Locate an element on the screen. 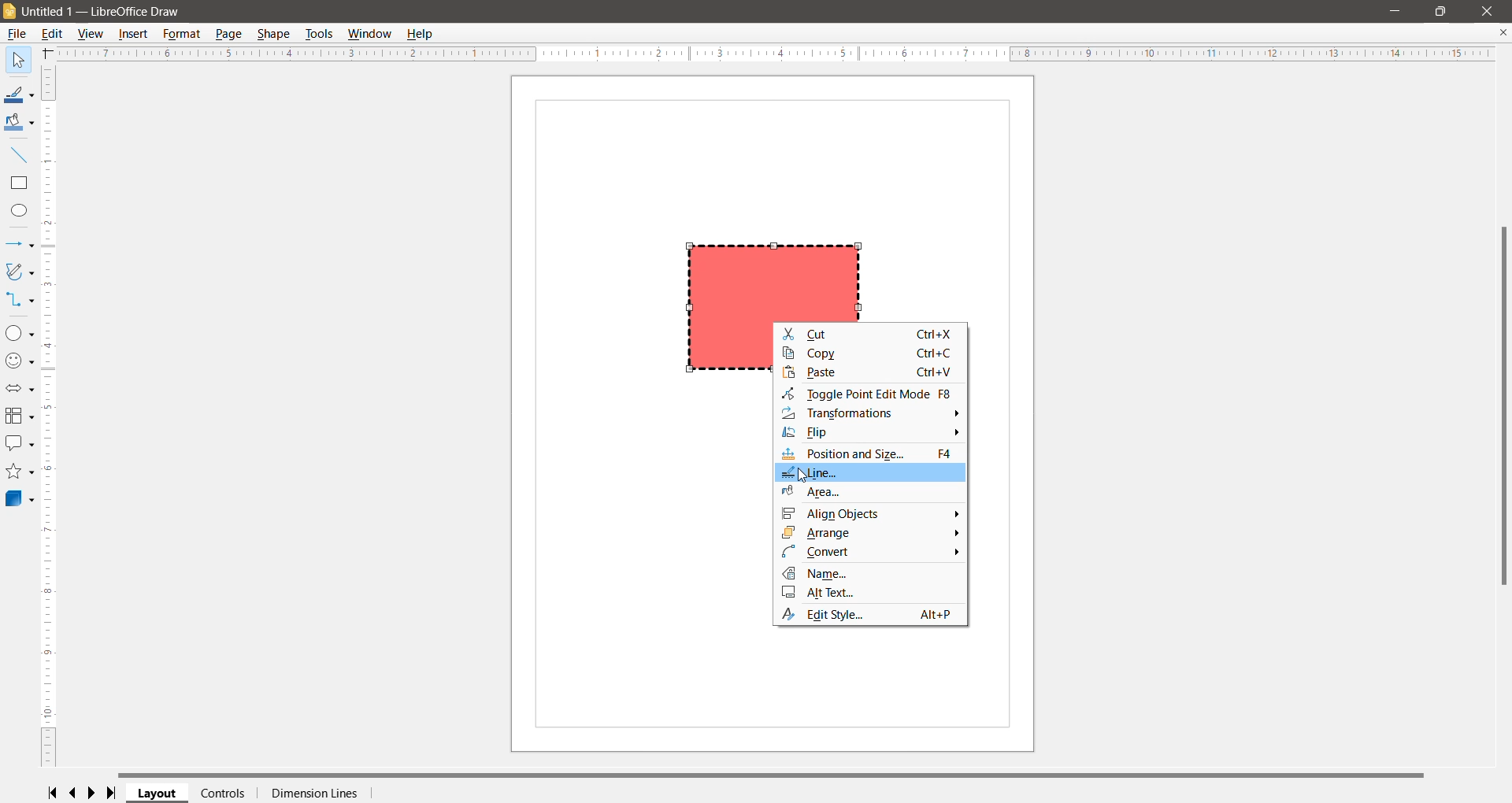  Application Logo is located at coordinates (9, 13).